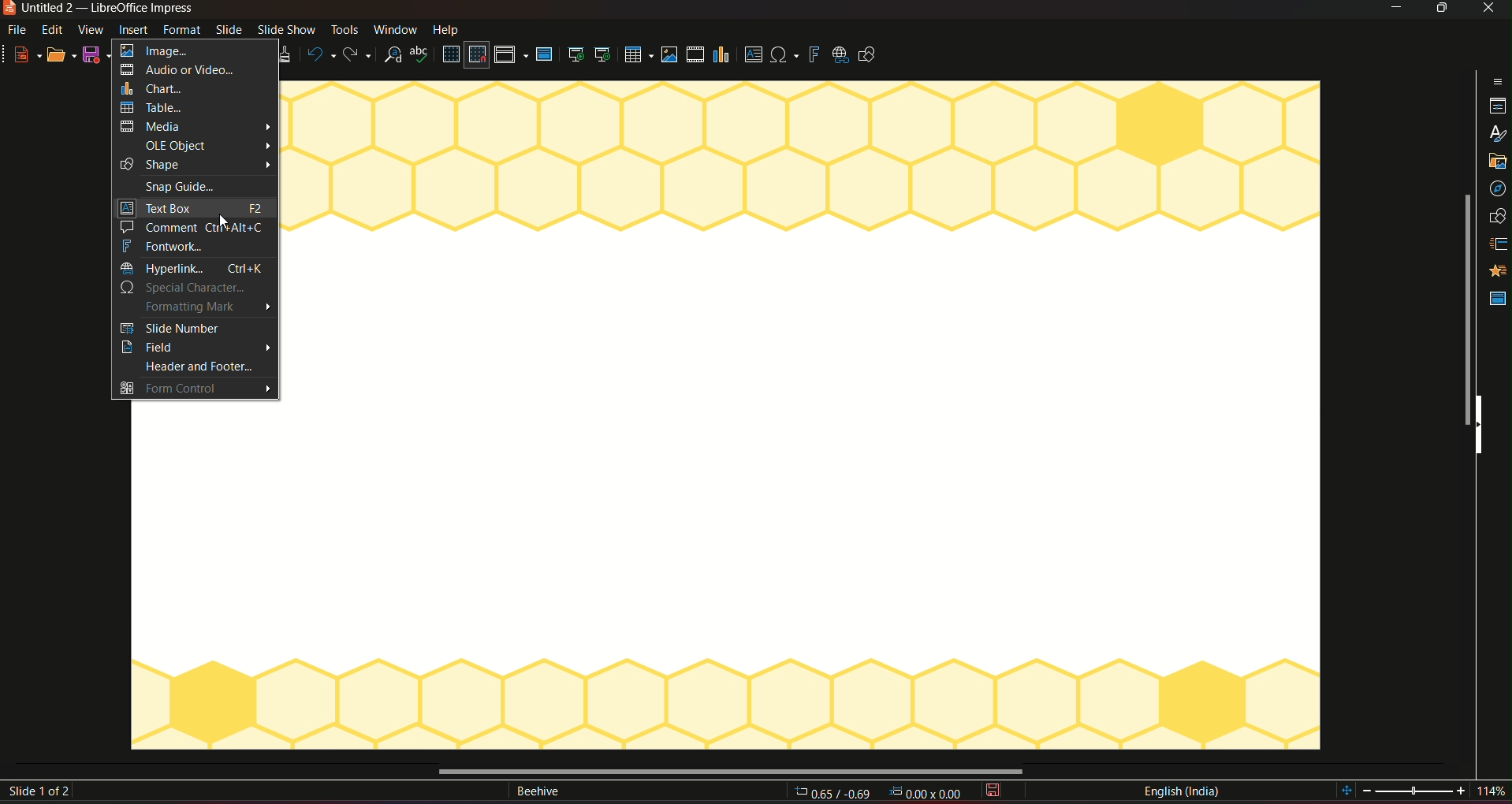 The width and height of the screenshot is (1512, 804). What do you see at coordinates (195, 185) in the screenshot?
I see `snap guide` at bounding box center [195, 185].